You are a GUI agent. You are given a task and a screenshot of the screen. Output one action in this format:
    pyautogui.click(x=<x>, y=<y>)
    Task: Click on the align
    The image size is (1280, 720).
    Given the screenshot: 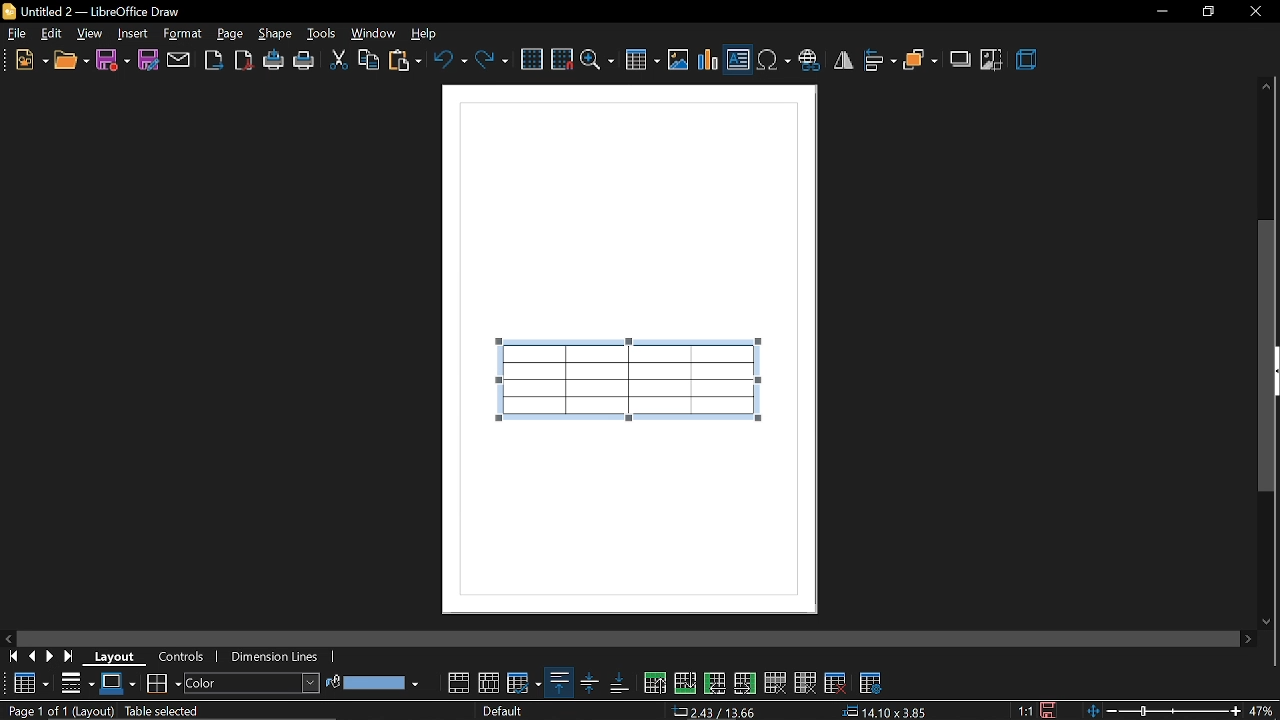 What is the action you would take?
    pyautogui.click(x=879, y=58)
    